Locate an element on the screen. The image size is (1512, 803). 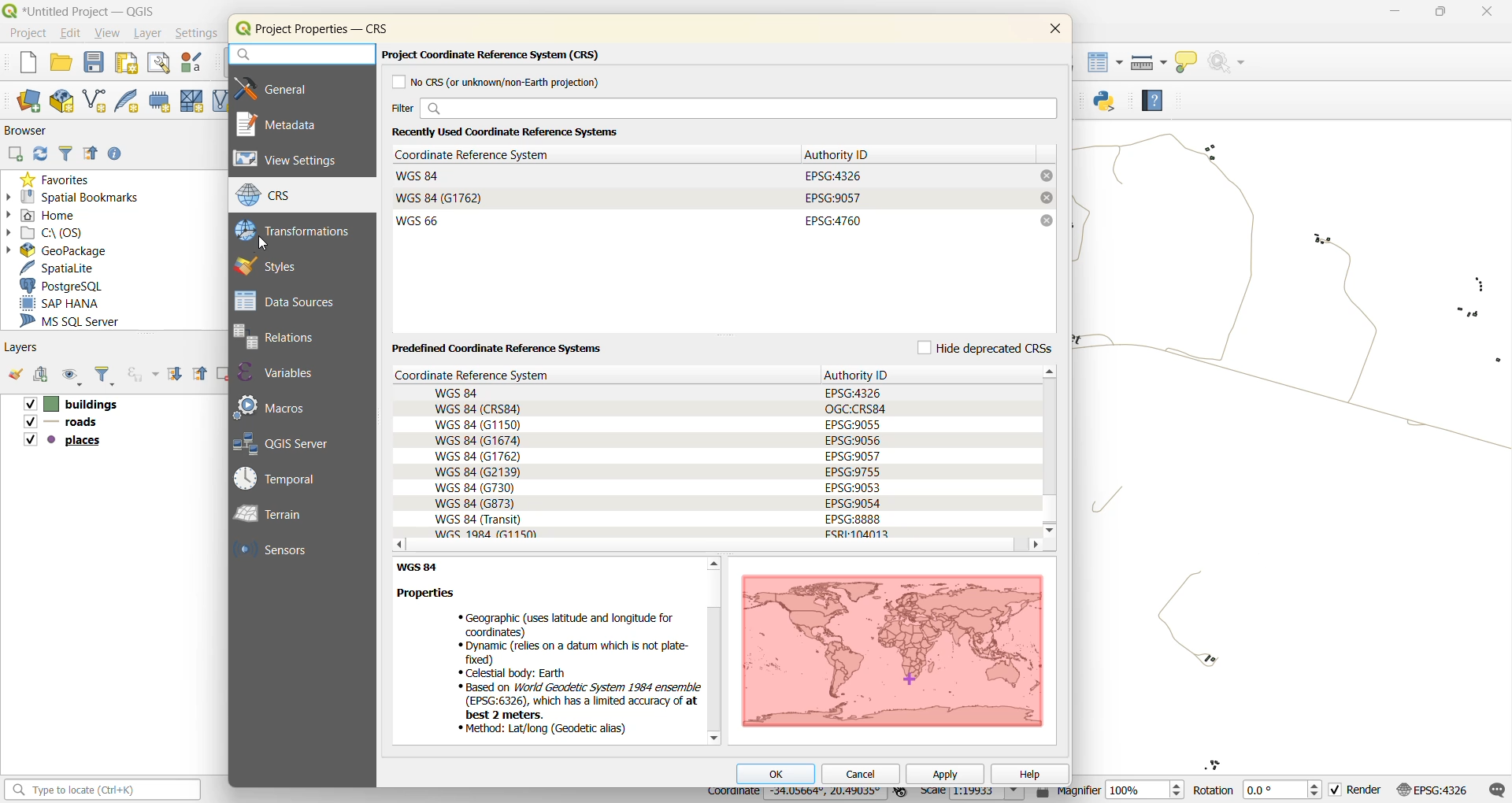
terrain is located at coordinates (281, 516).